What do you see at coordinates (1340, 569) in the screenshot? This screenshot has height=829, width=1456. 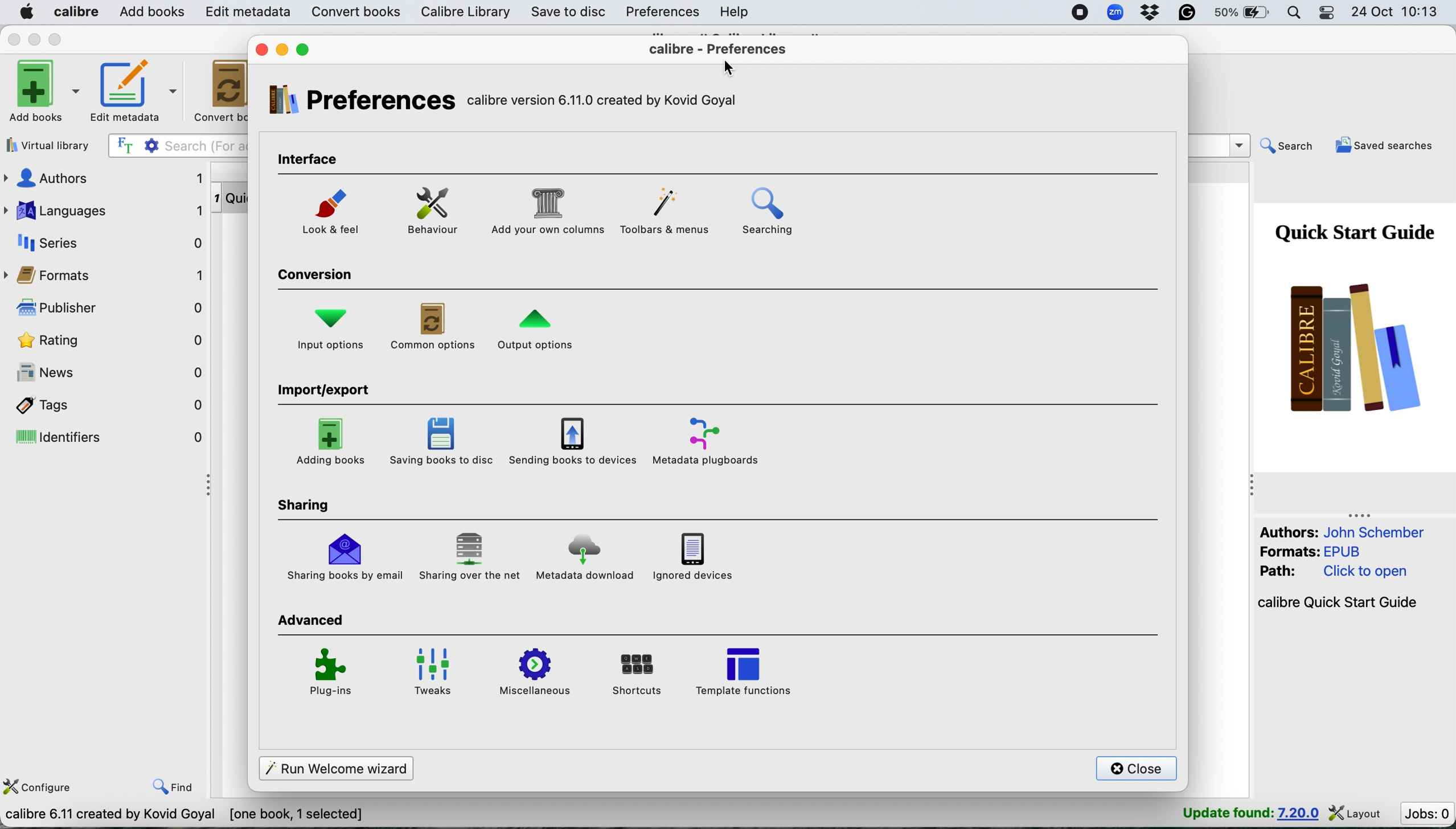 I see `Authors: John Schember
Formats: EPUB

Path: Click to open
calibre Quick Start Guide` at bounding box center [1340, 569].